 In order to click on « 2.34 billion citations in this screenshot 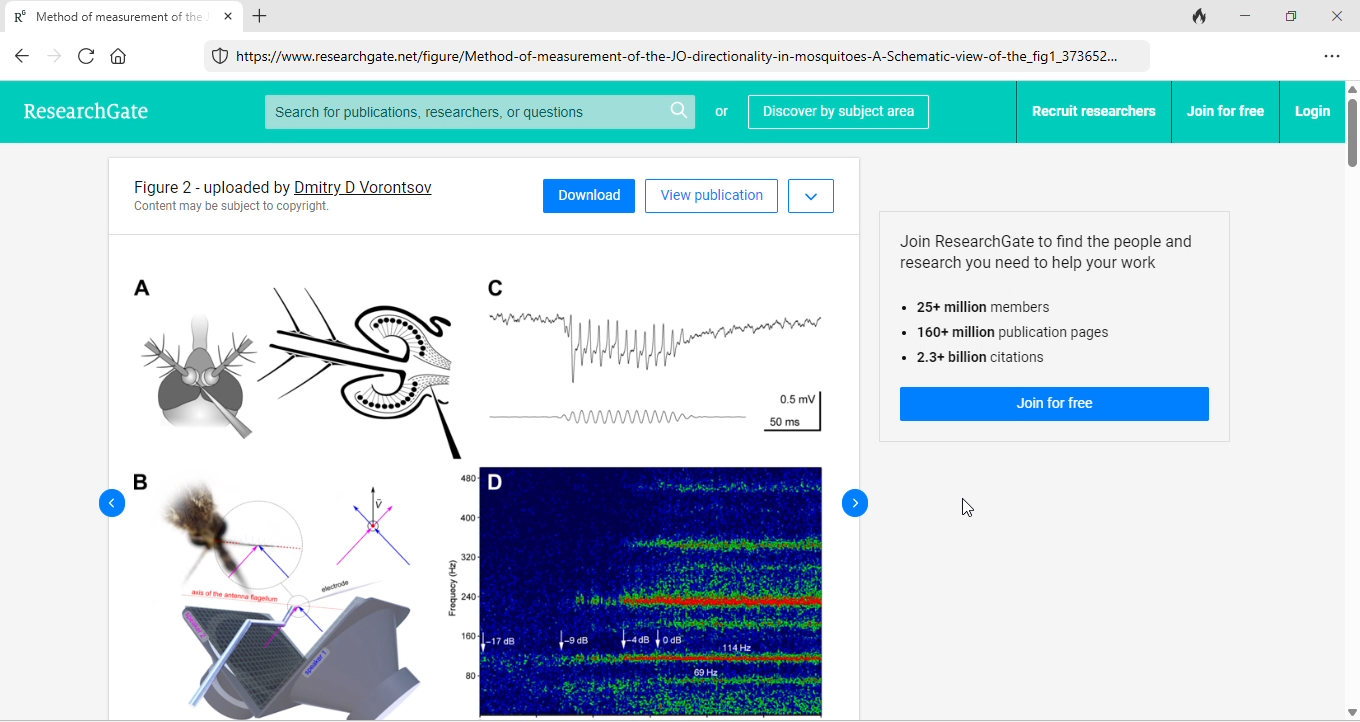, I will do `click(978, 360)`.